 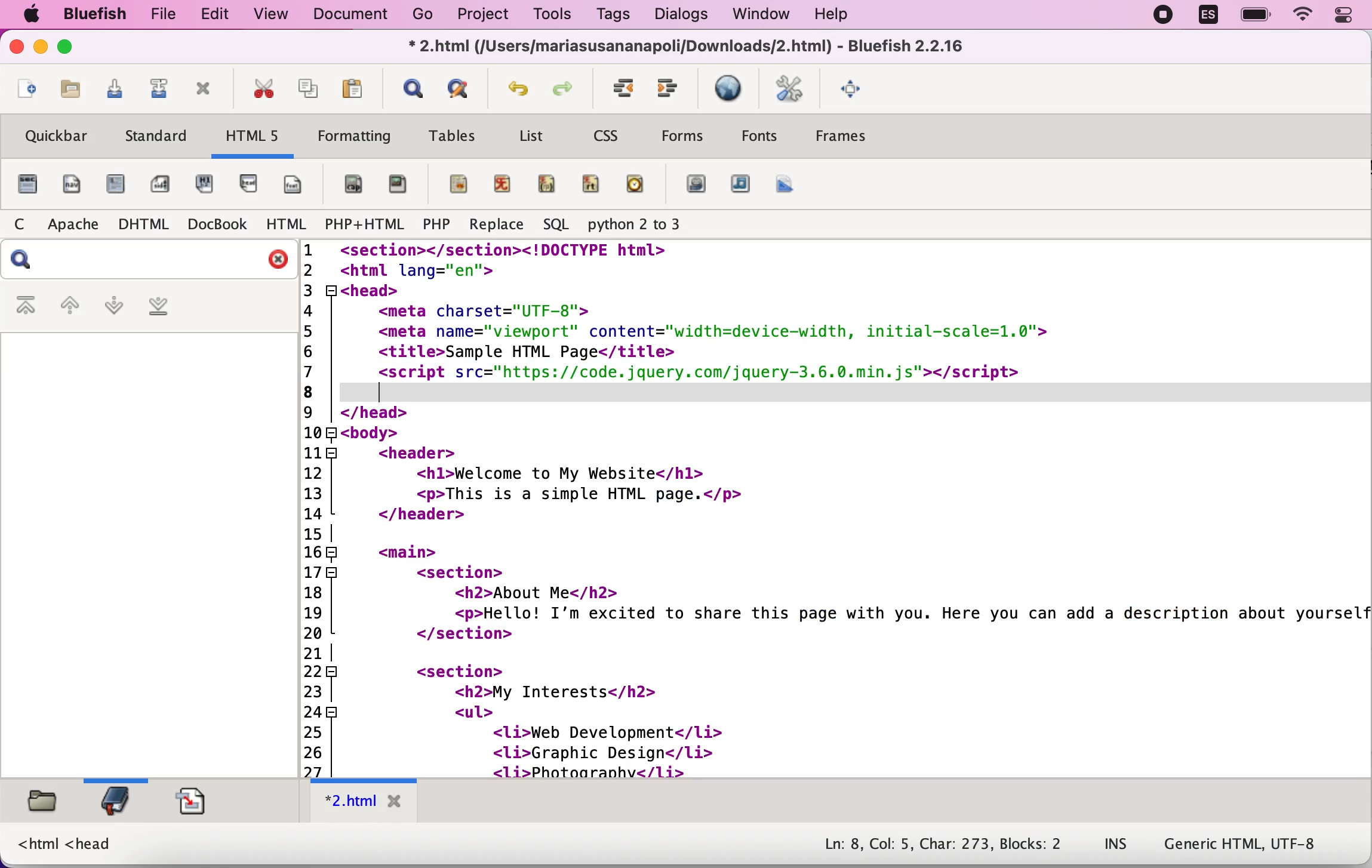 I want to click on paste, so click(x=352, y=88).